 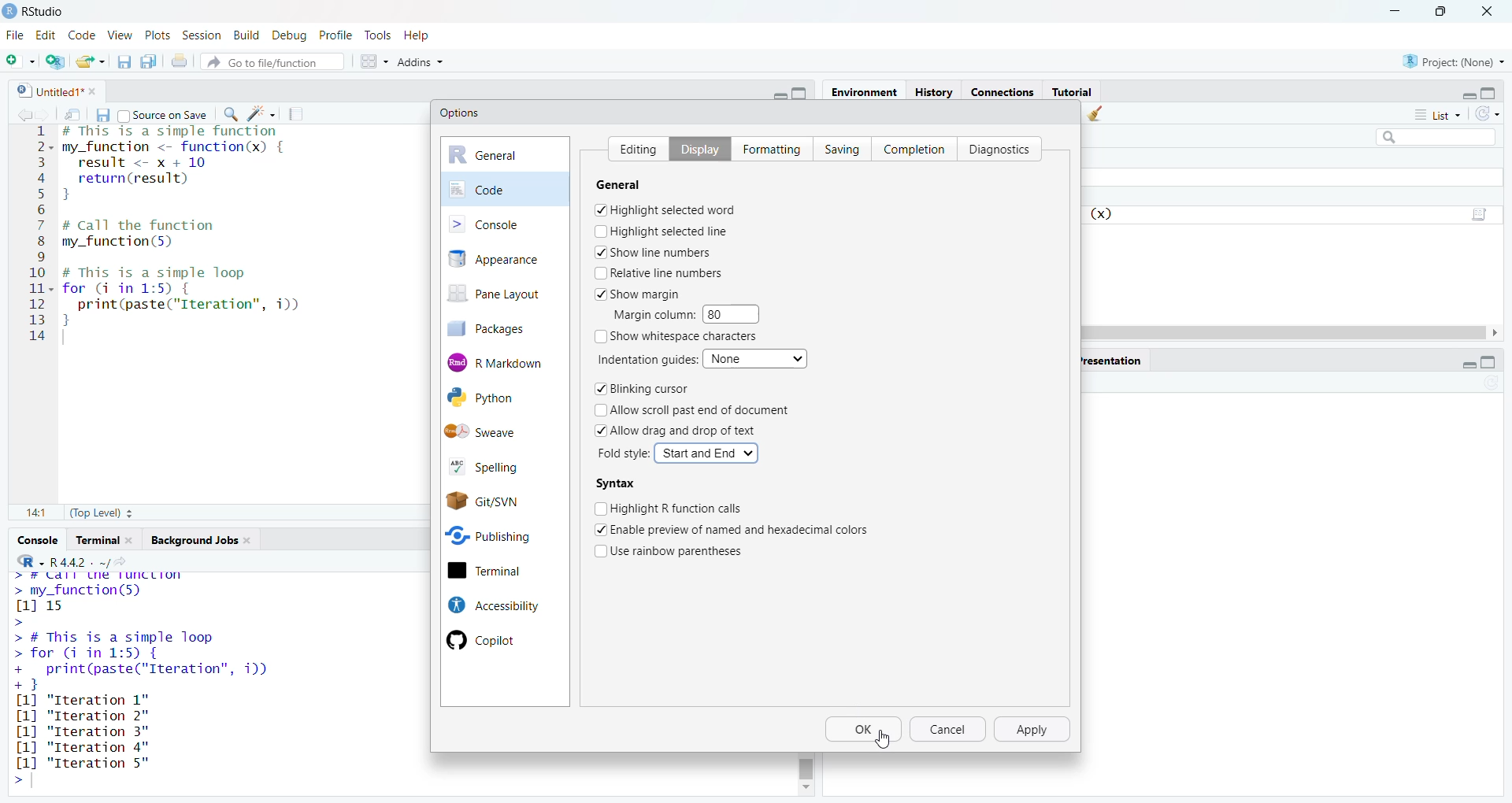 What do you see at coordinates (644, 293) in the screenshot?
I see `show margin` at bounding box center [644, 293].